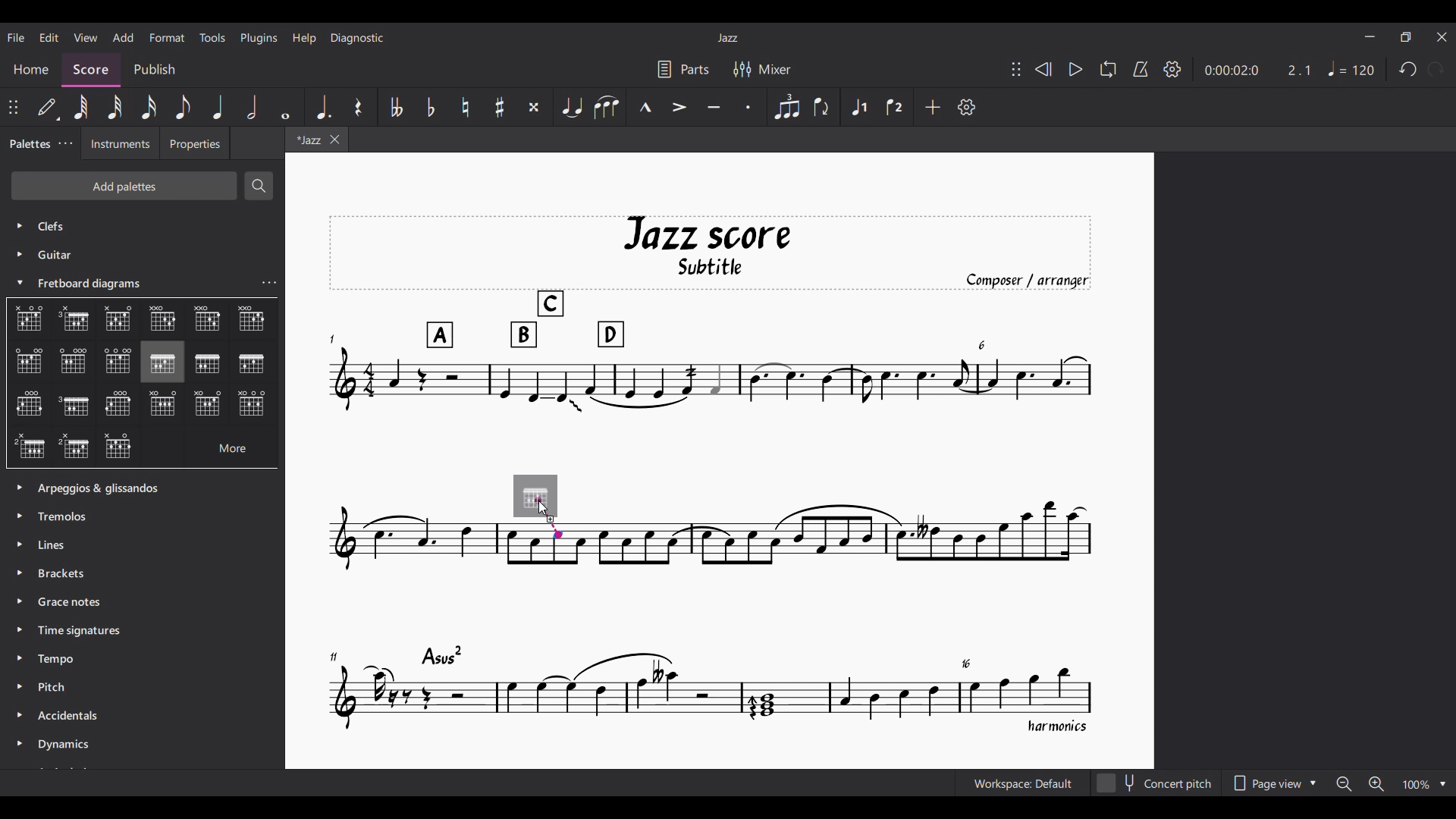 This screenshot has width=1456, height=819. Describe the element at coordinates (212, 37) in the screenshot. I see `Tools menu` at that location.